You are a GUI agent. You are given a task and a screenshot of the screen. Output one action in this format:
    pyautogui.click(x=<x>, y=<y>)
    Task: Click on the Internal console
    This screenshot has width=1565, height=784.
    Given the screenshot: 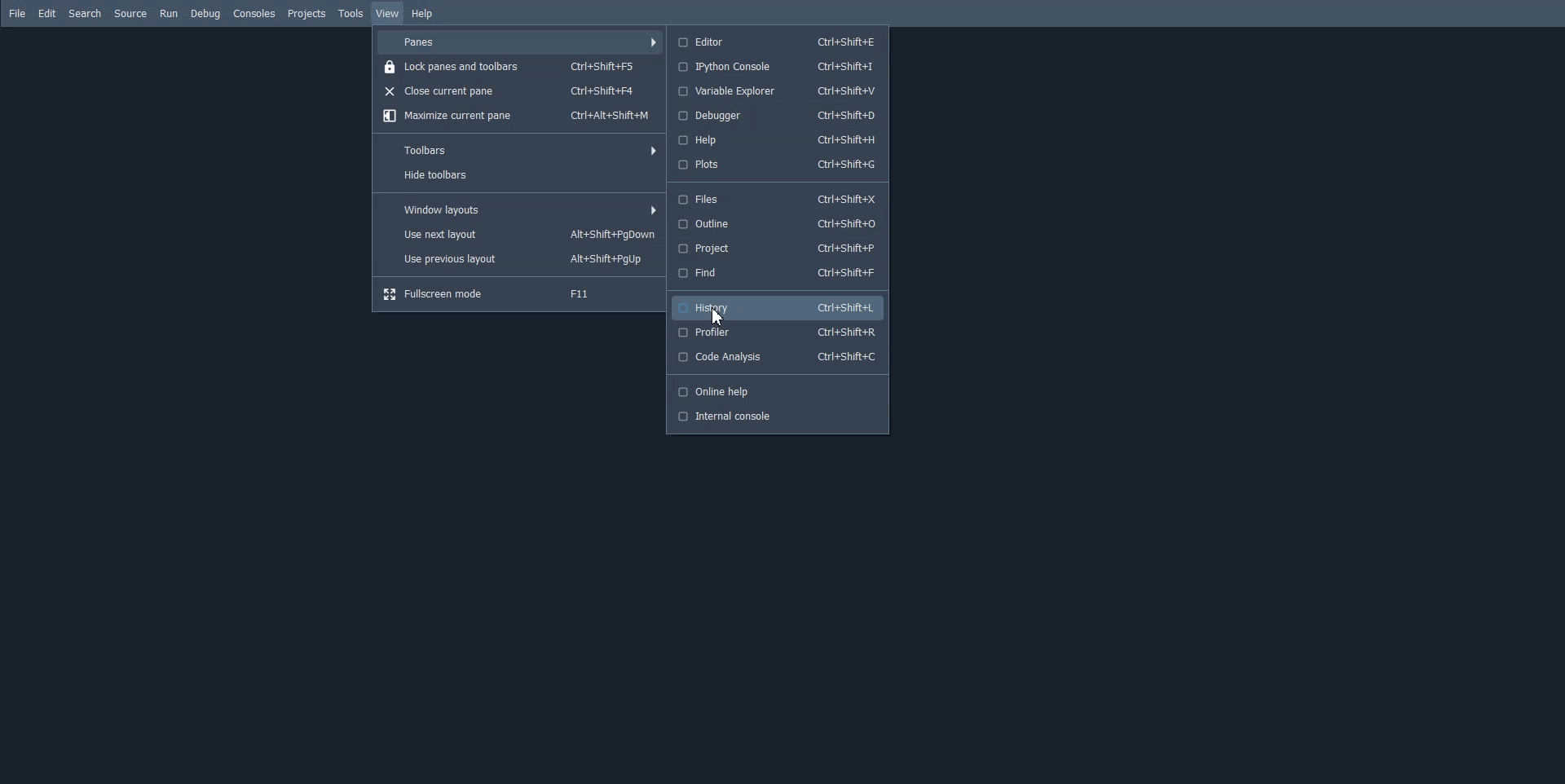 What is the action you would take?
    pyautogui.click(x=776, y=416)
    